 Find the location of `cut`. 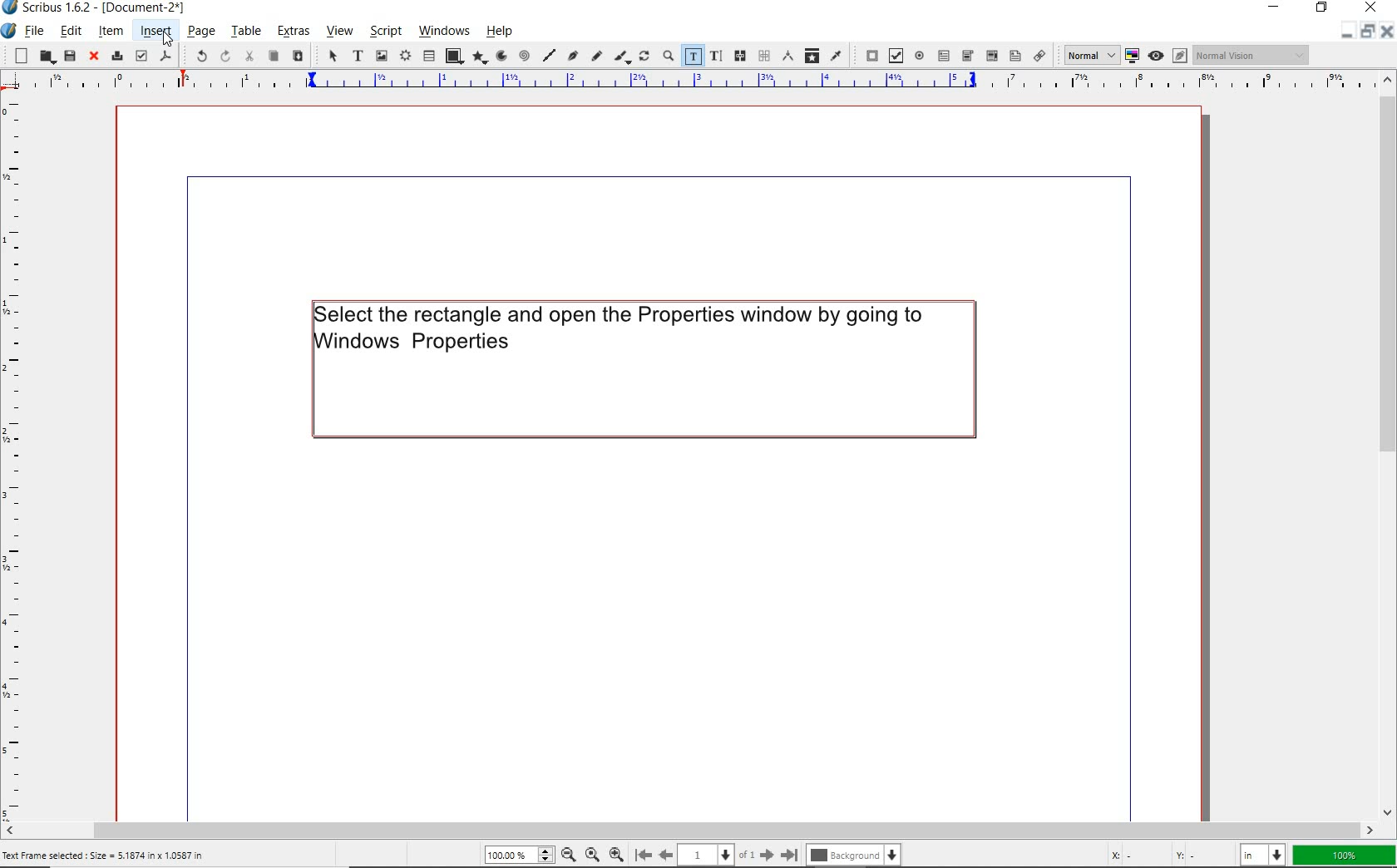

cut is located at coordinates (250, 56).